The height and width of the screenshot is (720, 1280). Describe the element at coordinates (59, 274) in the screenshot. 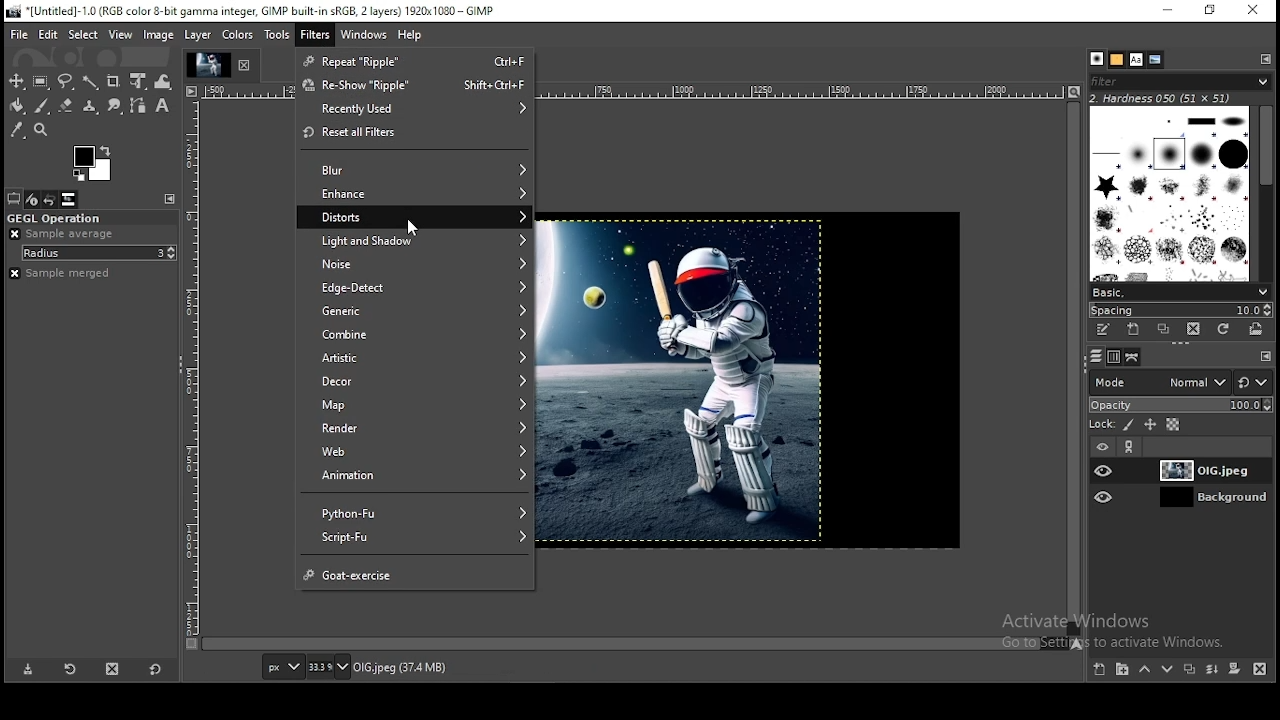

I see `sample merged` at that location.